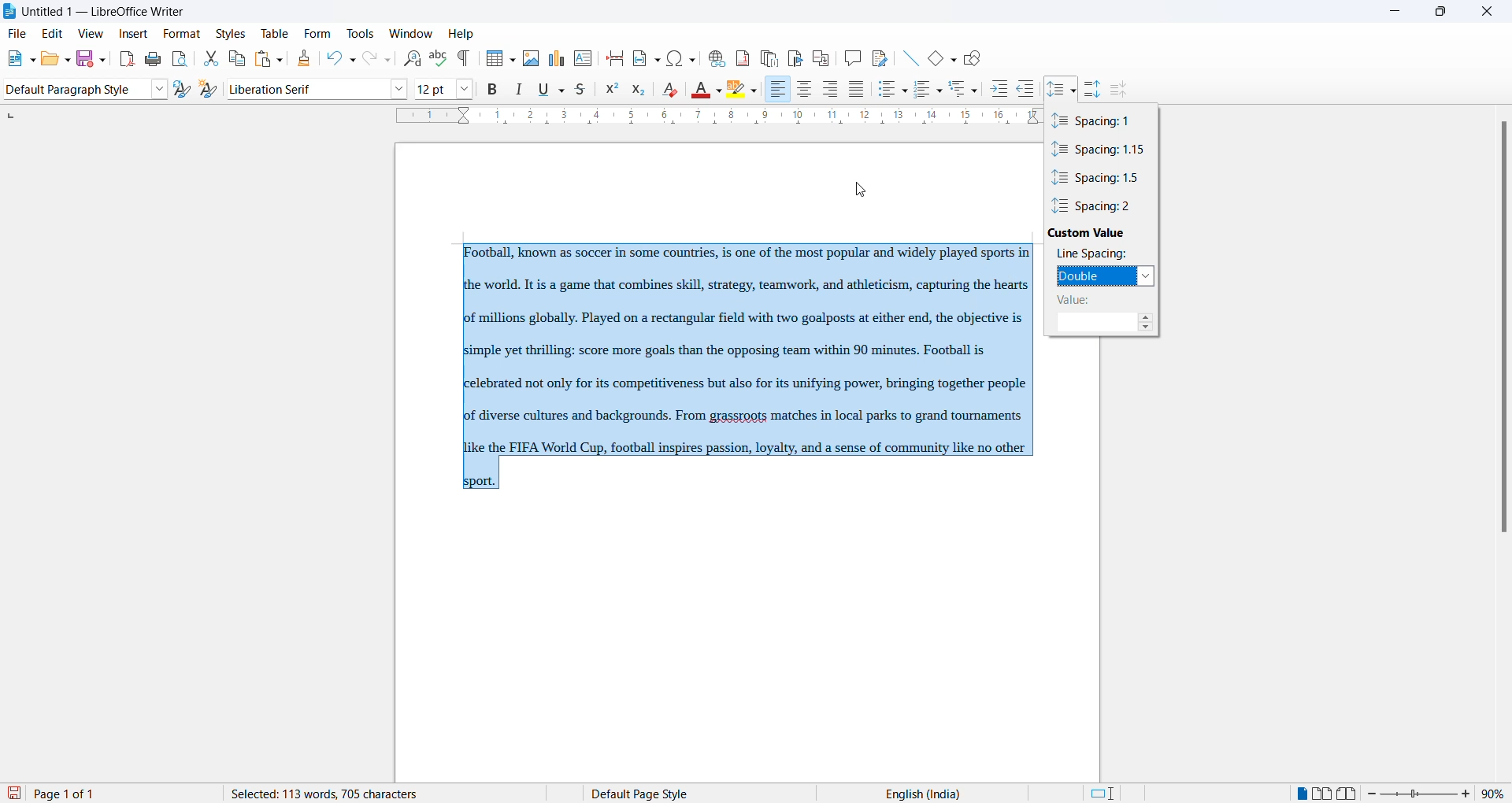 The width and height of the screenshot is (1512, 803). I want to click on outline format options, so click(976, 91).